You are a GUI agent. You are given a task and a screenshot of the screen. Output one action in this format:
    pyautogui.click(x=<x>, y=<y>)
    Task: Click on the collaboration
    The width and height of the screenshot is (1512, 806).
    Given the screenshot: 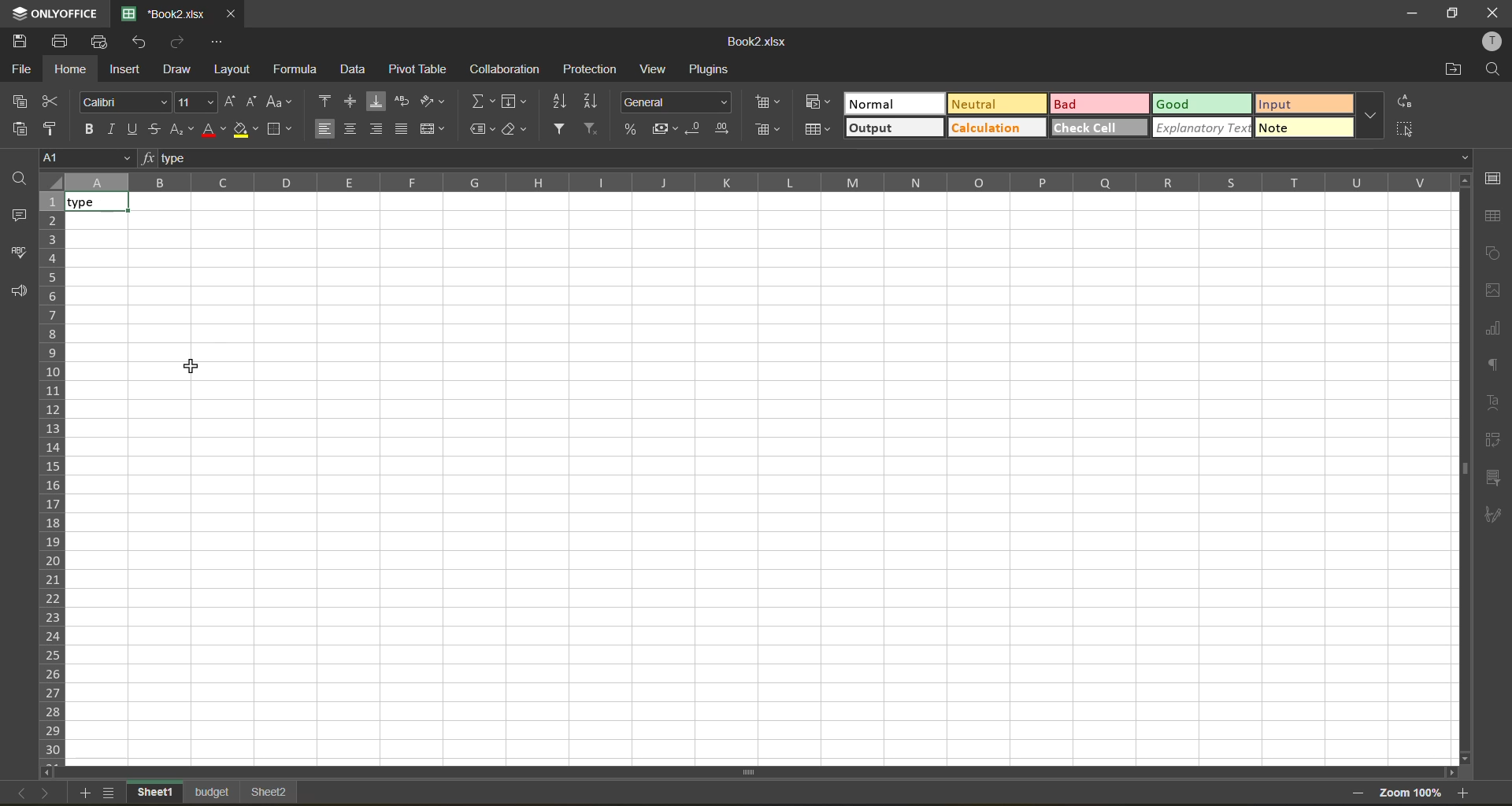 What is the action you would take?
    pyautogui.click(x=506, y=68)
    